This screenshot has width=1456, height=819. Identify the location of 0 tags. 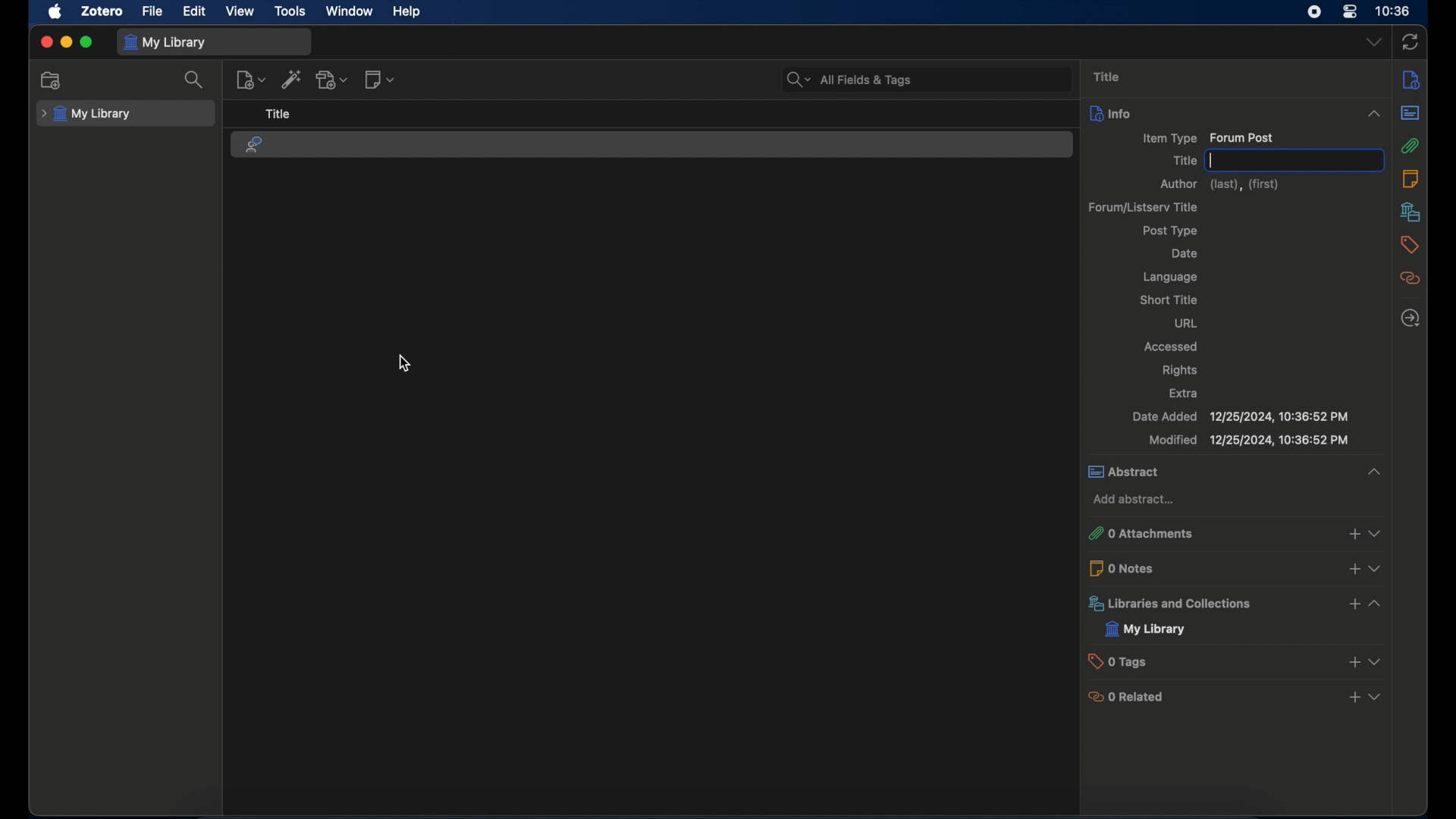
(1233, 661).